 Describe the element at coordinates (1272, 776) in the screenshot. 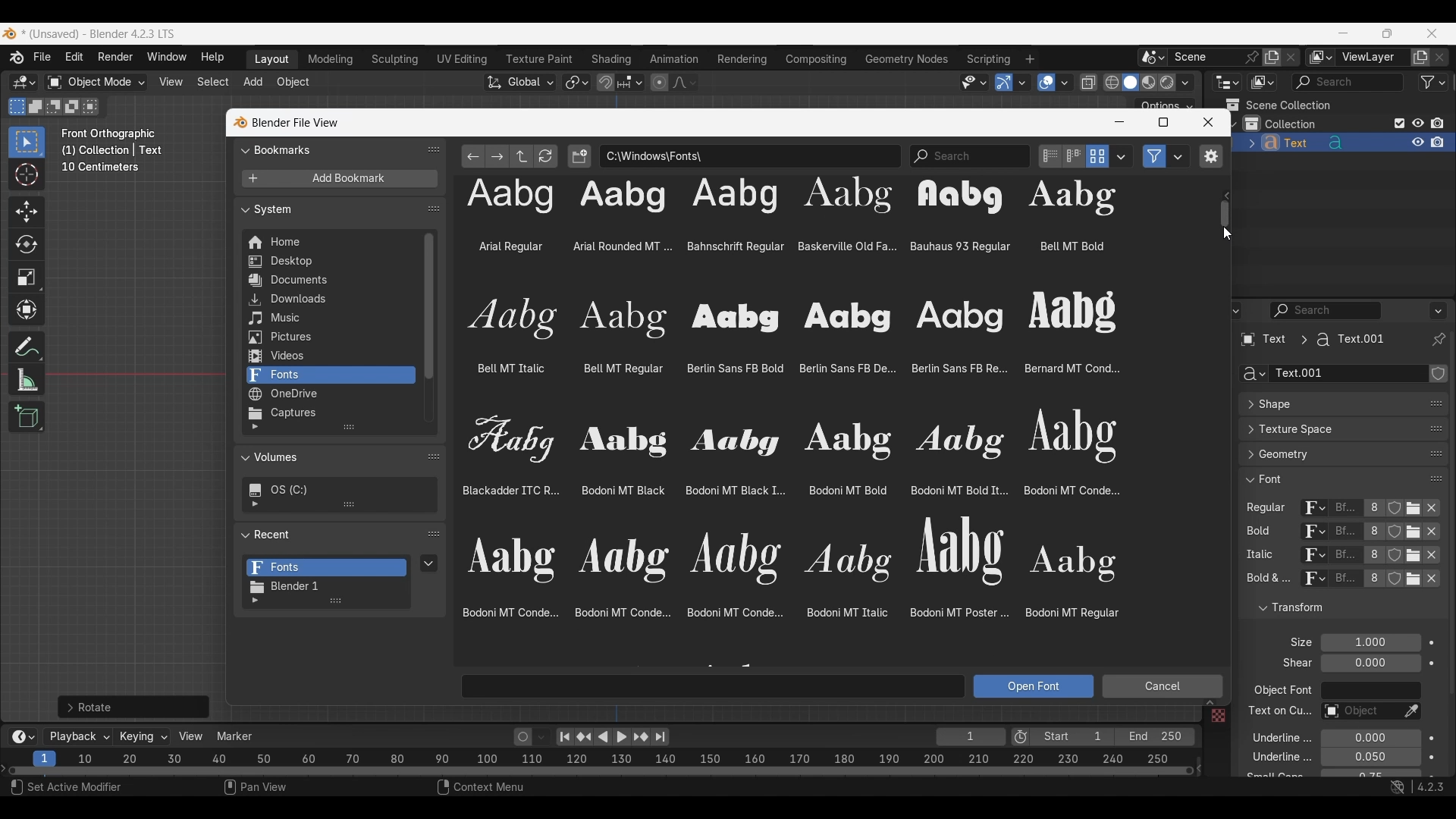

I see `text` at that location.